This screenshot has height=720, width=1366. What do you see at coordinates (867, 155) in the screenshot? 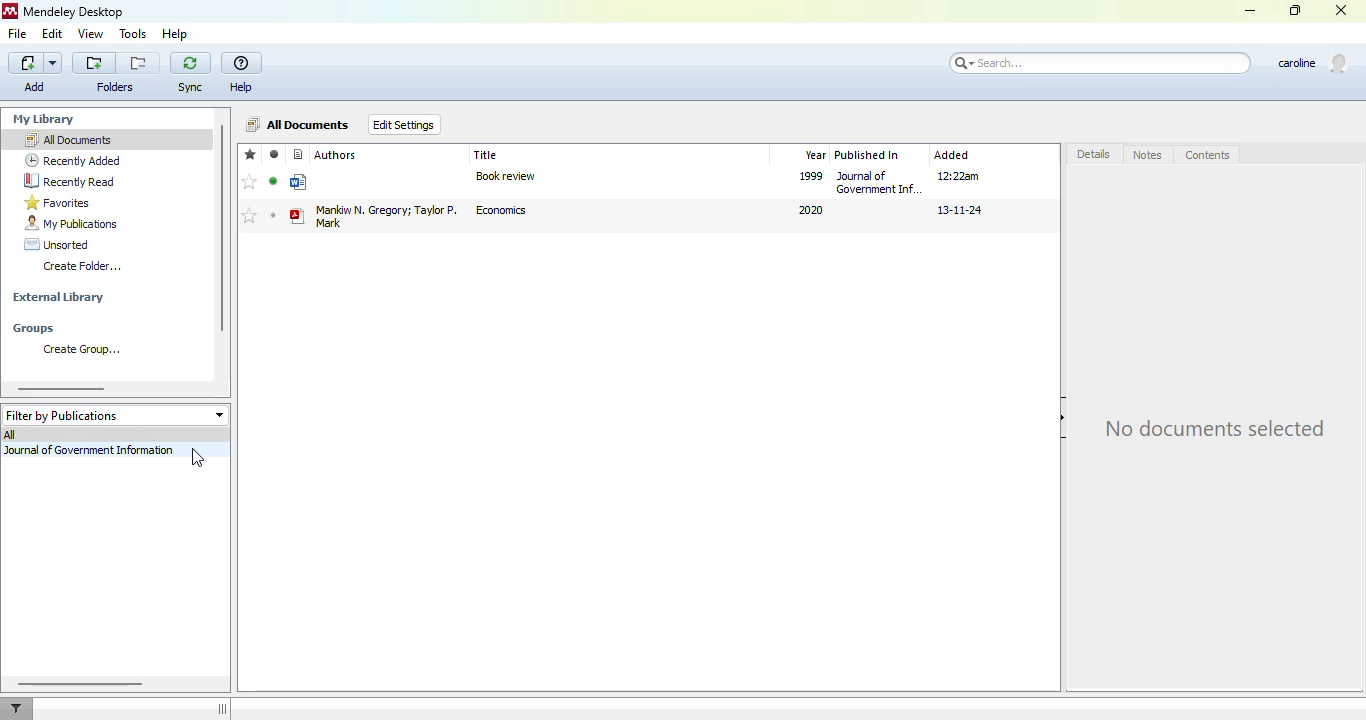
I see `published in` at bounding box center [867, 155].